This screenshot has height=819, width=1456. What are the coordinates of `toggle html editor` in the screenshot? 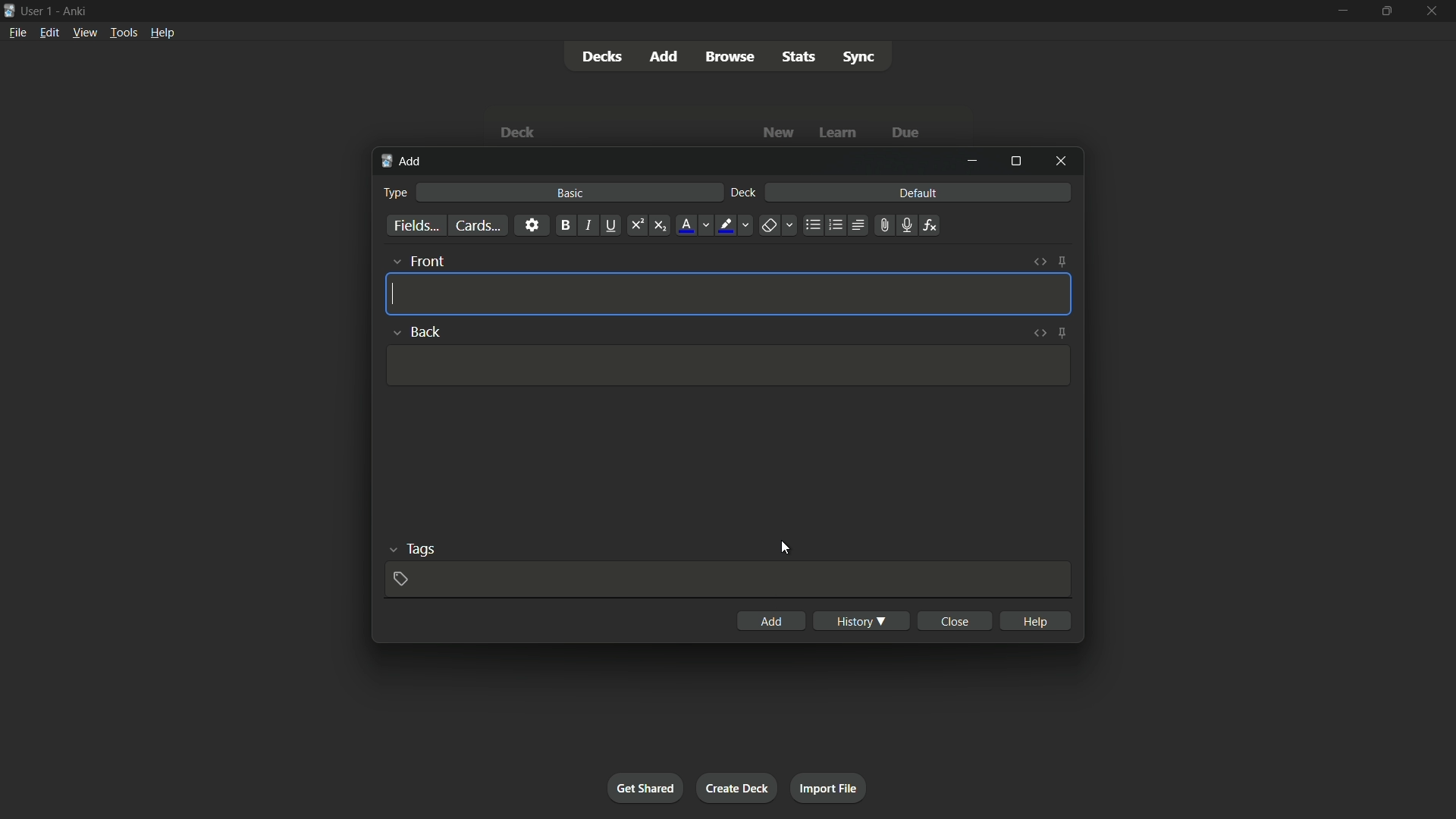 It's located at (1039, 333).